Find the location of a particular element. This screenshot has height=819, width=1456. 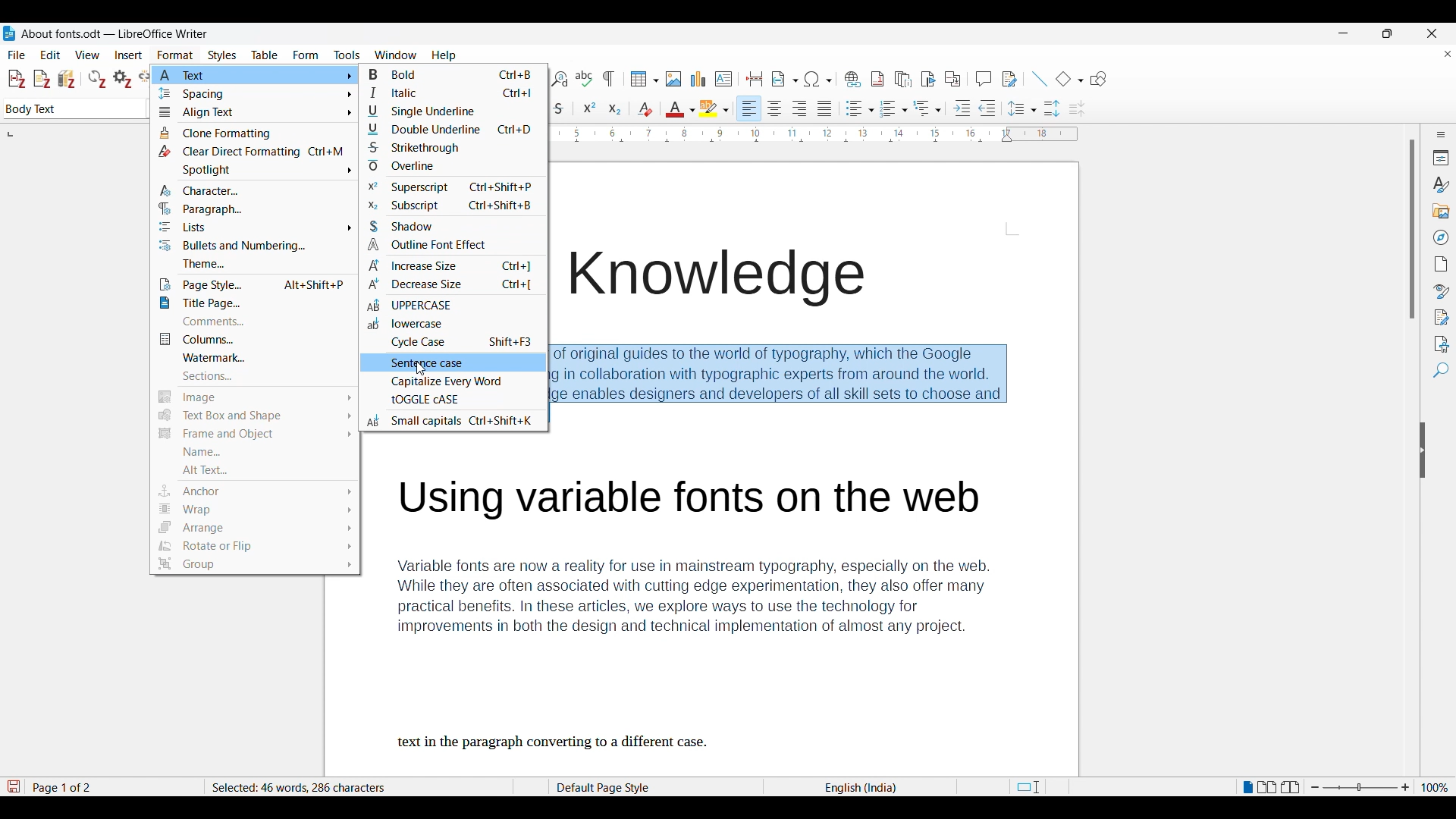

Minimize is located at coordinates (1344, 33).